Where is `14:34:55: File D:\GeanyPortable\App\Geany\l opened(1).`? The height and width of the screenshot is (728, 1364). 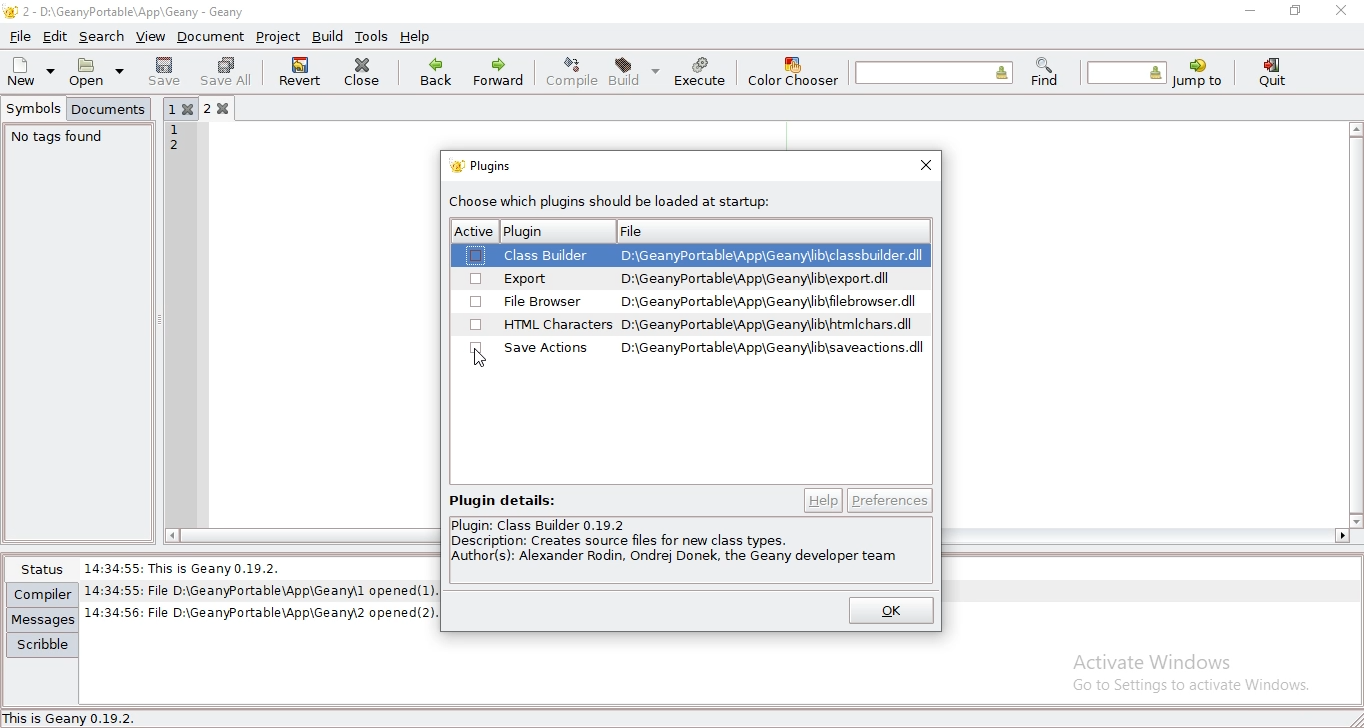 14:34:55: File D:\GeanyPortable\App\Geany\l opened(1). is located at coordinates (264, 588).